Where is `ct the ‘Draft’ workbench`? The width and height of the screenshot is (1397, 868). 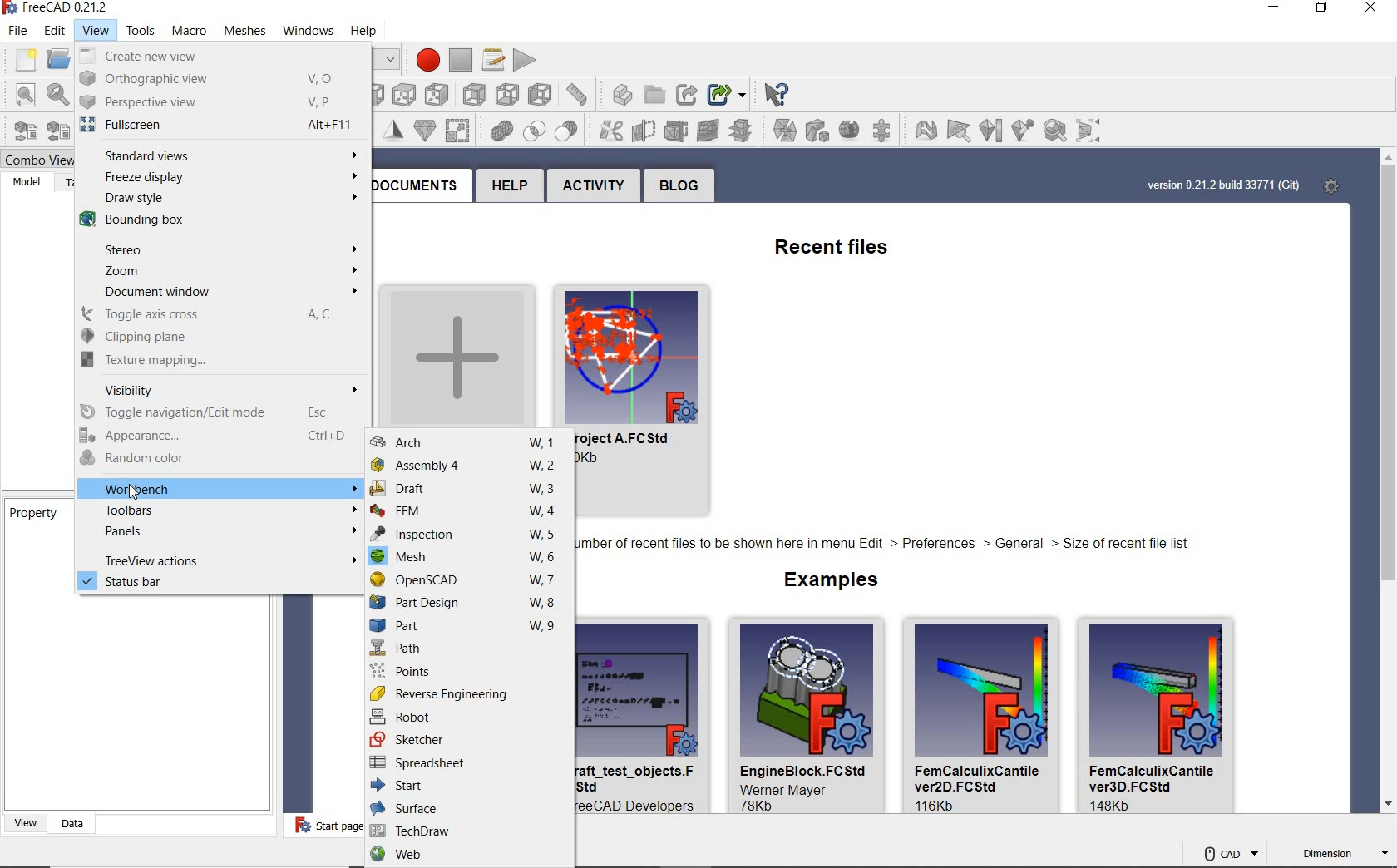 ct the ‘Draft’ workbench is located at coordinates (92, 855).